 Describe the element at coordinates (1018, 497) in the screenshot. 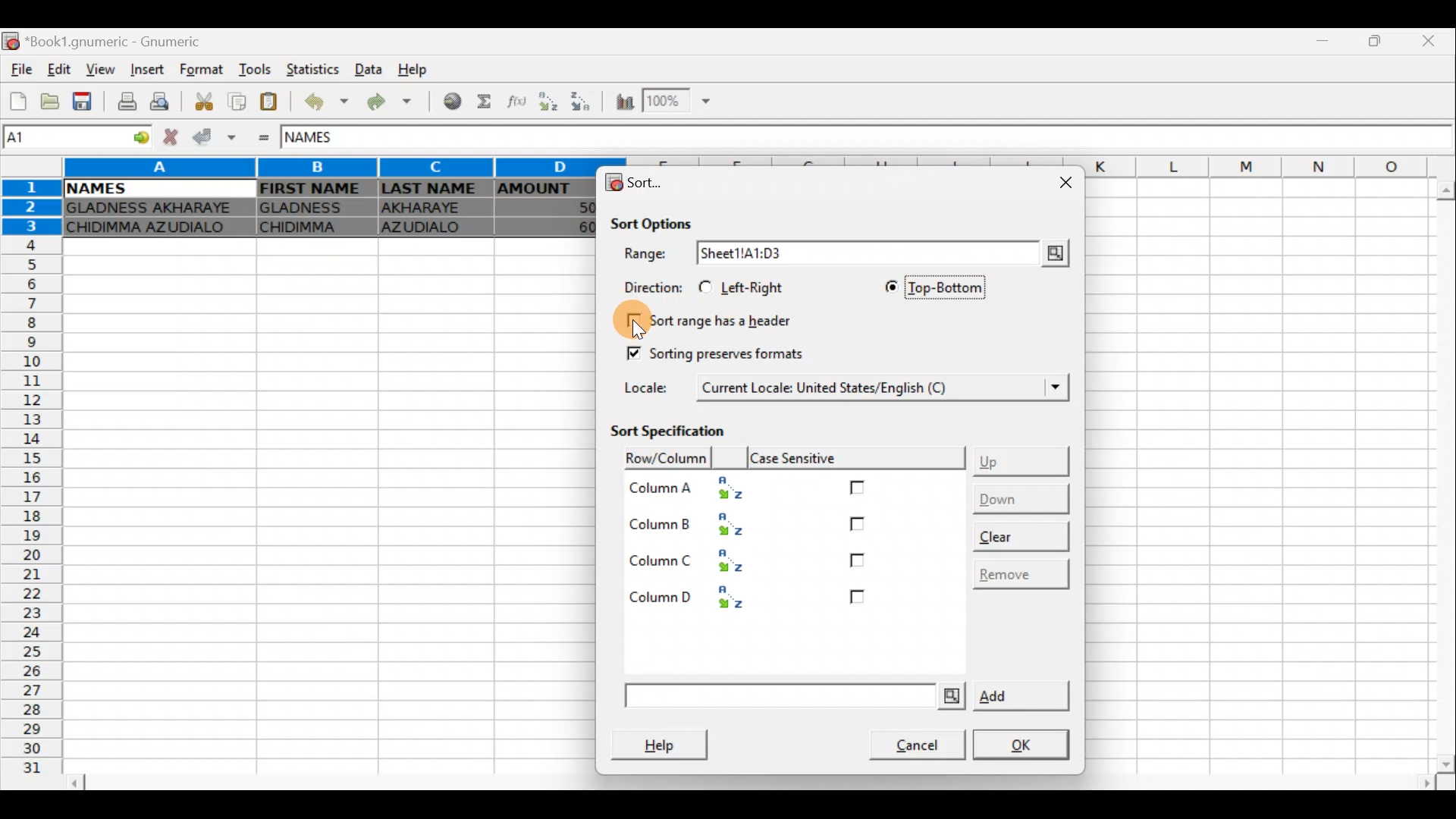

I see `Down` at that location.